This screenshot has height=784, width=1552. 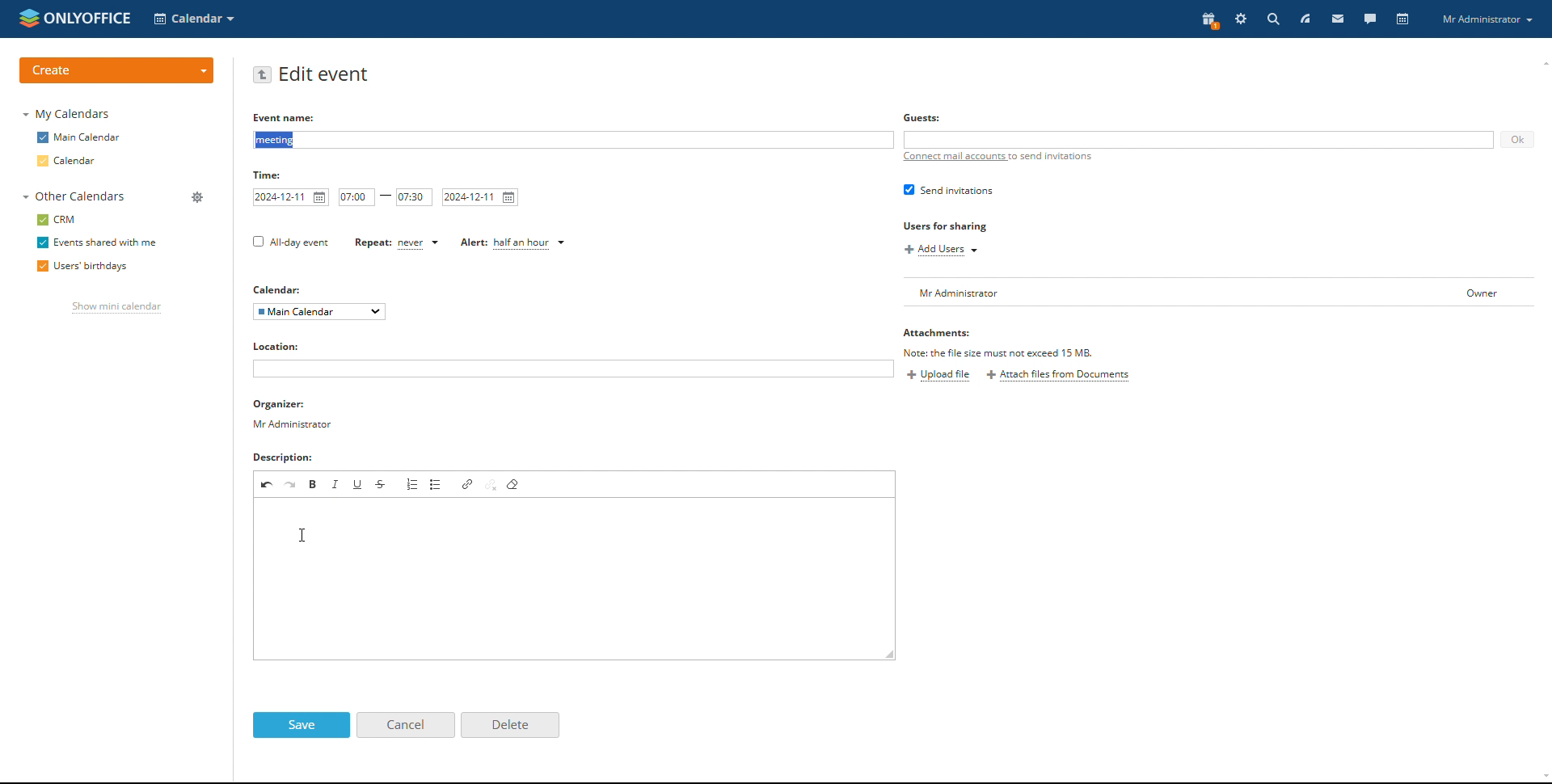 What do you see at coordinates (412, 484) in the screenshot?
I see `insert/remove numbered list` at bounding box center [412, 484].